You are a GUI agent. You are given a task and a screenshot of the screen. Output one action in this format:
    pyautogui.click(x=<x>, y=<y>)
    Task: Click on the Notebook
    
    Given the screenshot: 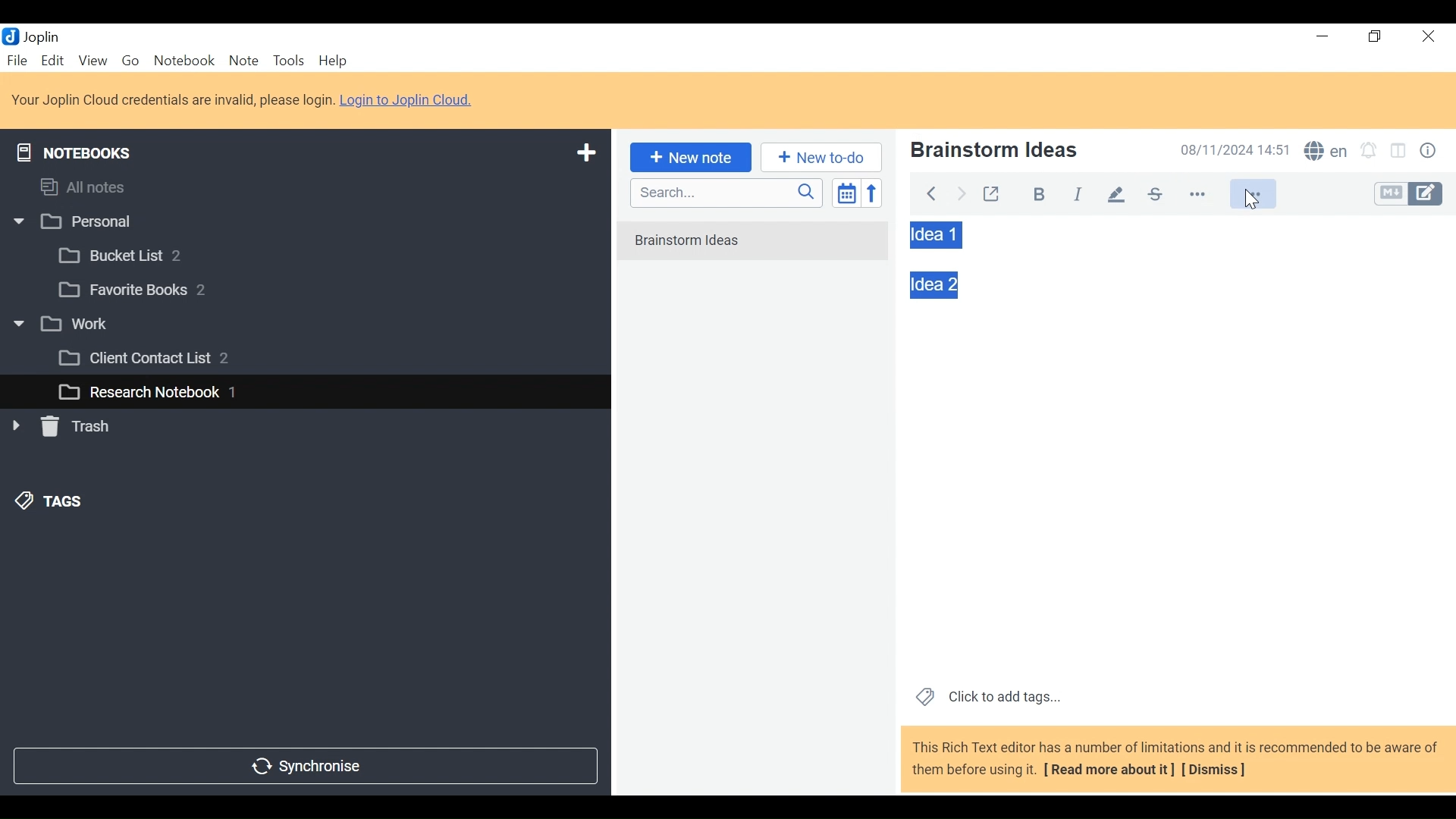 What is the action you would take?
    pyautogui.click(x=186, y=60)
    